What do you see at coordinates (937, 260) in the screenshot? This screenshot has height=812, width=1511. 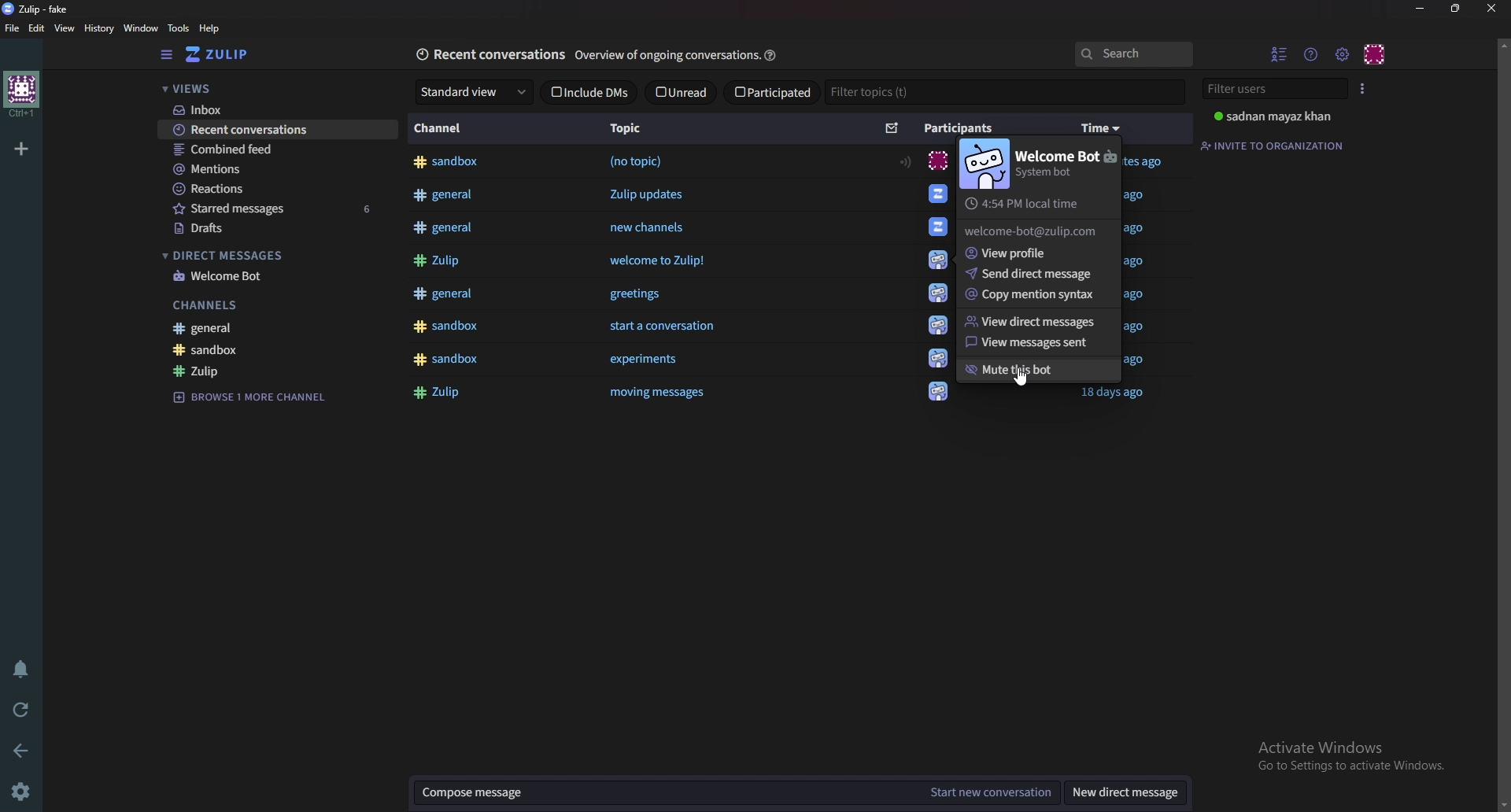 I see `icon` at bounding box center [937, 260].